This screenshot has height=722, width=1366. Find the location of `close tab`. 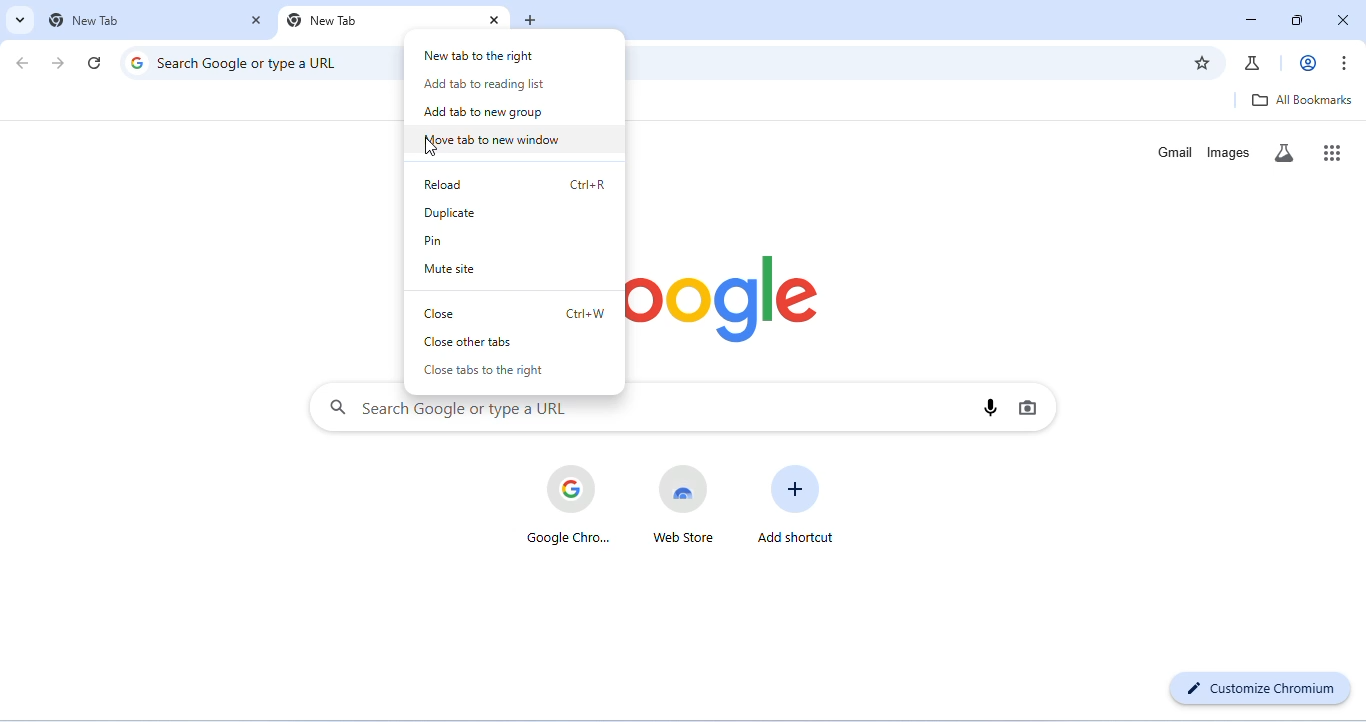

close tab is located at coordinates (257, 20).